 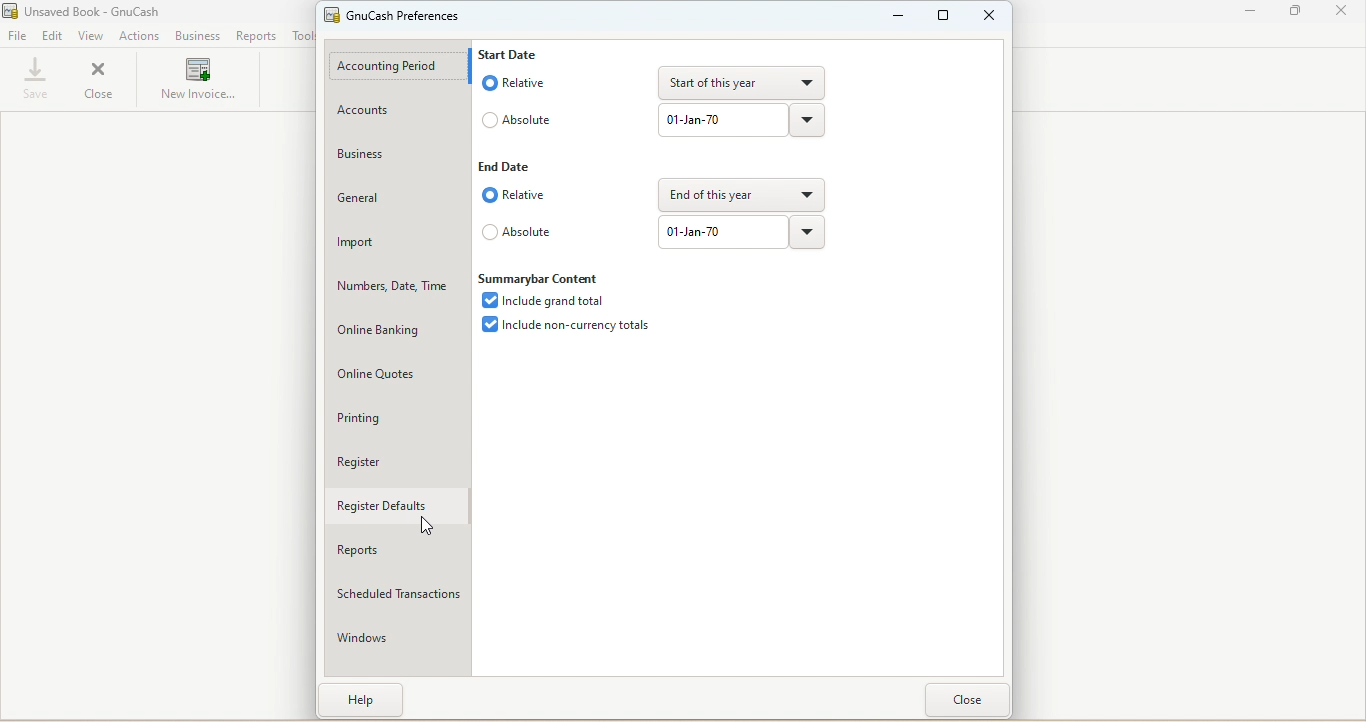 What do you see at coordinates (519, 53) in the screenshot?
I see `Start date` at bounding box center [519, 53].